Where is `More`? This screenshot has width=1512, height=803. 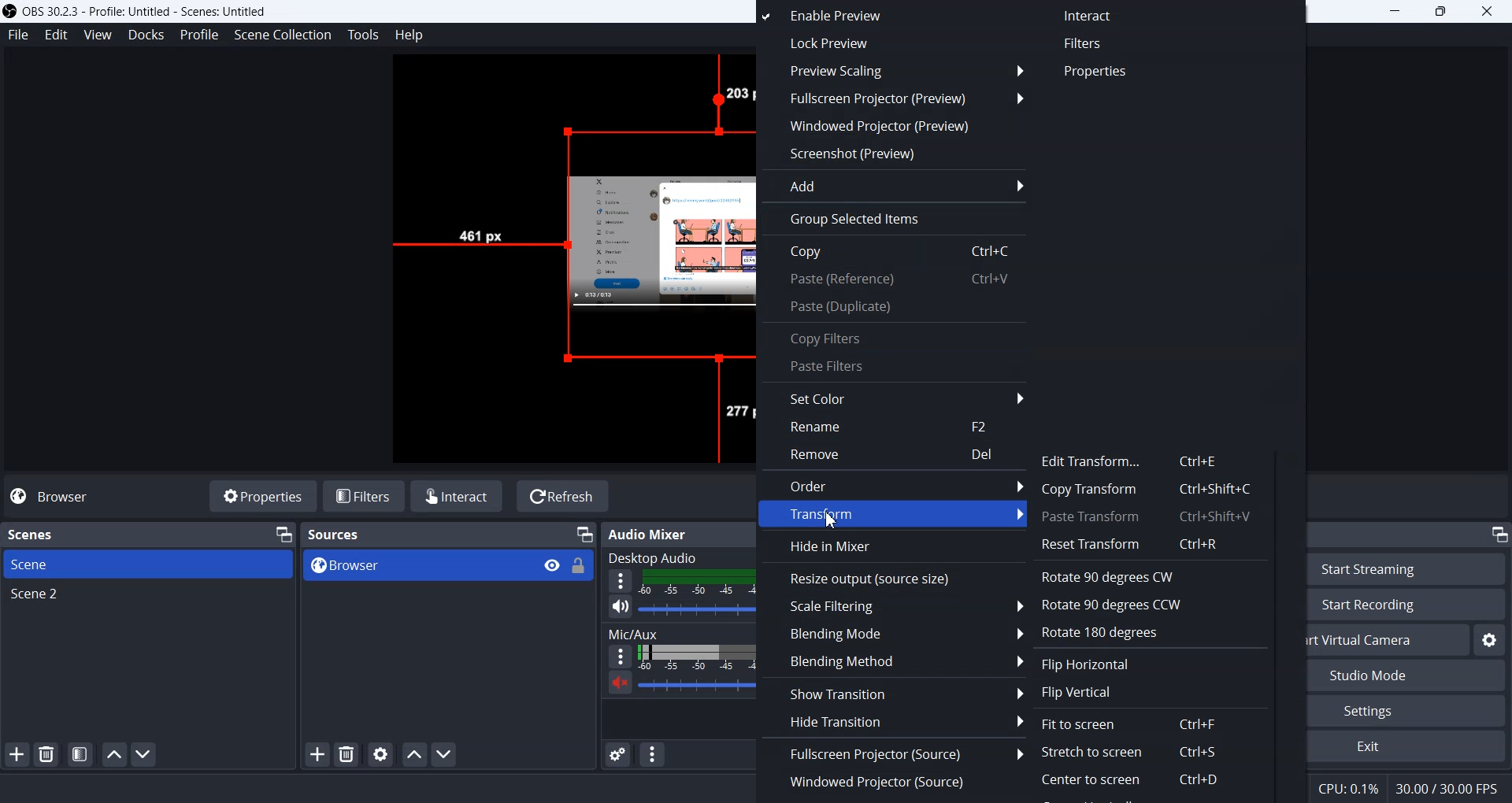 More is located at coordinates (615, 656).